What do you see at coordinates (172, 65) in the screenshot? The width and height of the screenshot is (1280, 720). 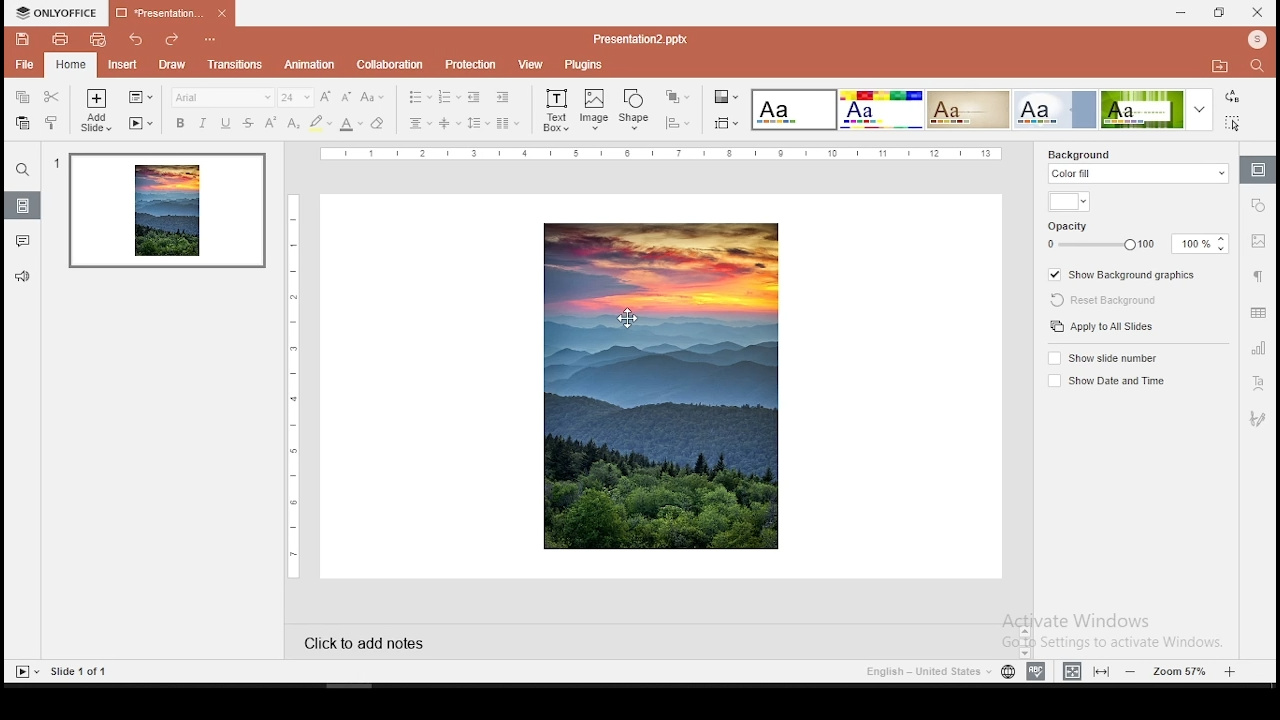 I see `draw` at bounding box center [172, 65].